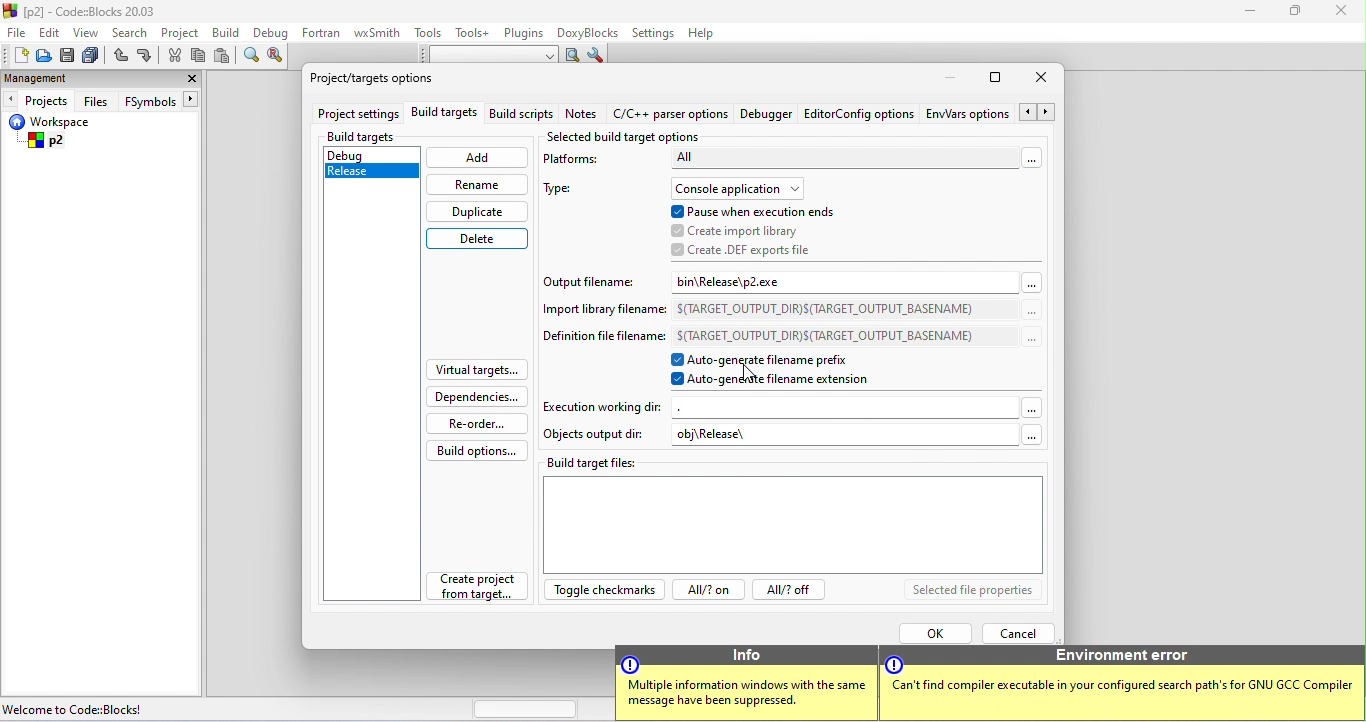  I want to click on Definition file filename: S(TARGET_OUTPUT_DIR)S(TARGET_OUTPUT_BASENAME), so click(789, 336).